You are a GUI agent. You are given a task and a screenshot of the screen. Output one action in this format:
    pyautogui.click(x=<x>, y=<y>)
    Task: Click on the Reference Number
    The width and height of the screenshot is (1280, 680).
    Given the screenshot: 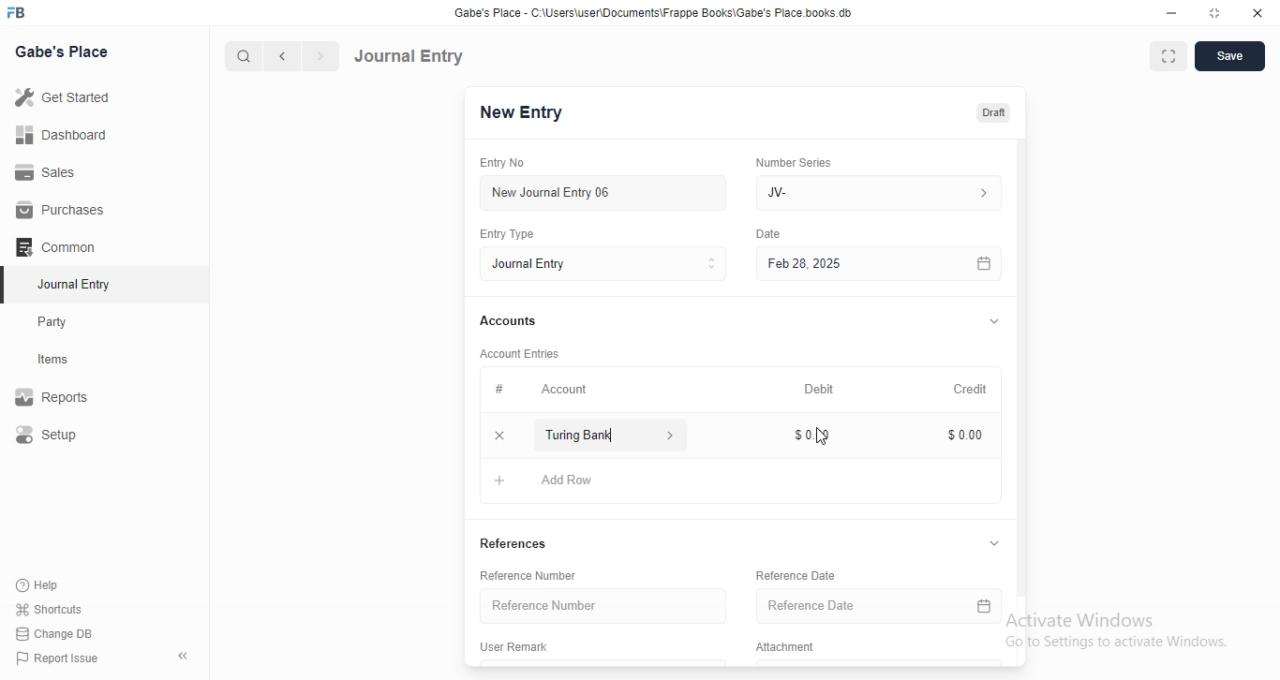 What is the action you would take?
    pyautogui.click(x=598, y=606)
    